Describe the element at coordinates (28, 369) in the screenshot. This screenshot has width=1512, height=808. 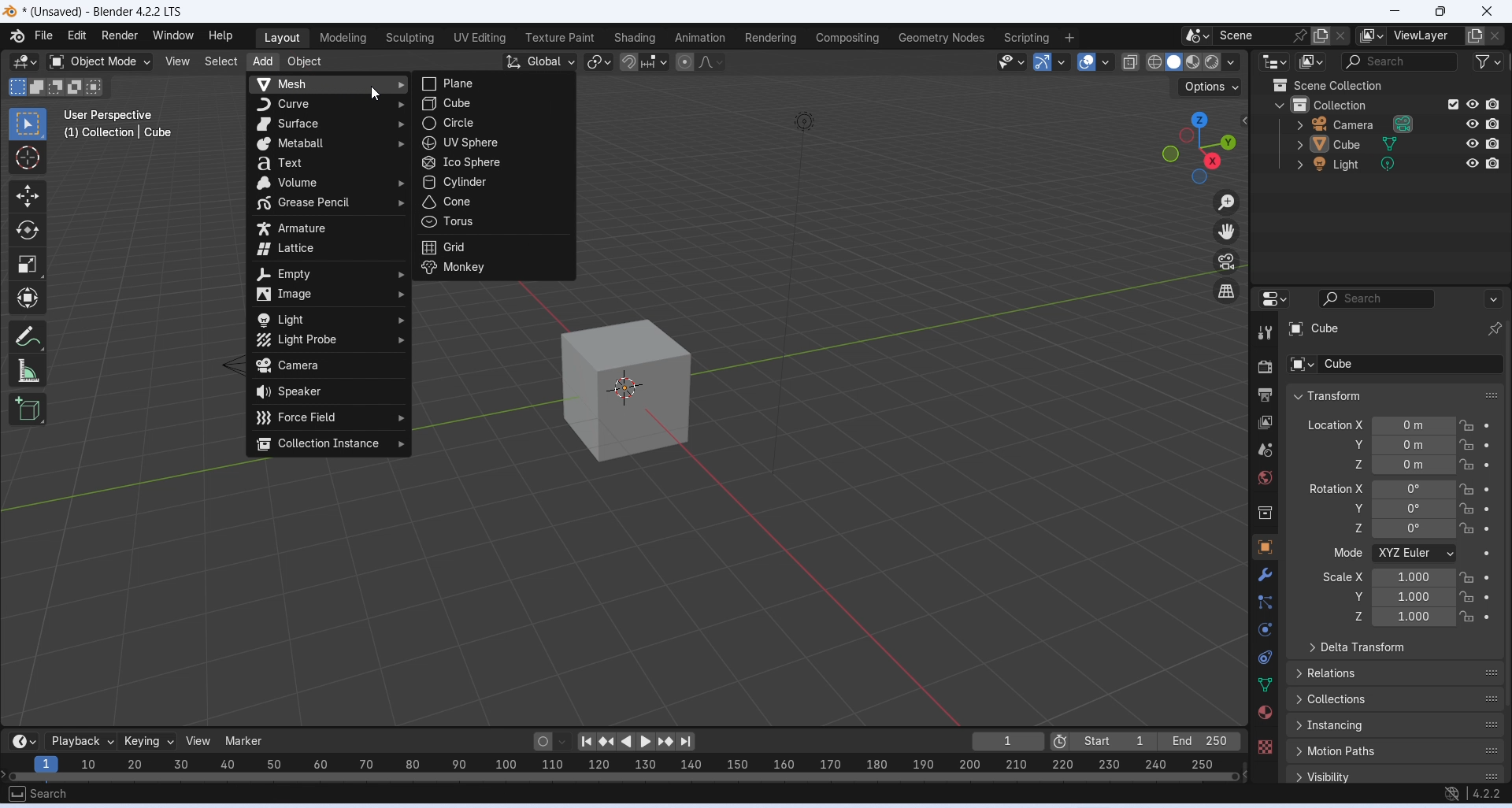
I see `measure` at that location.